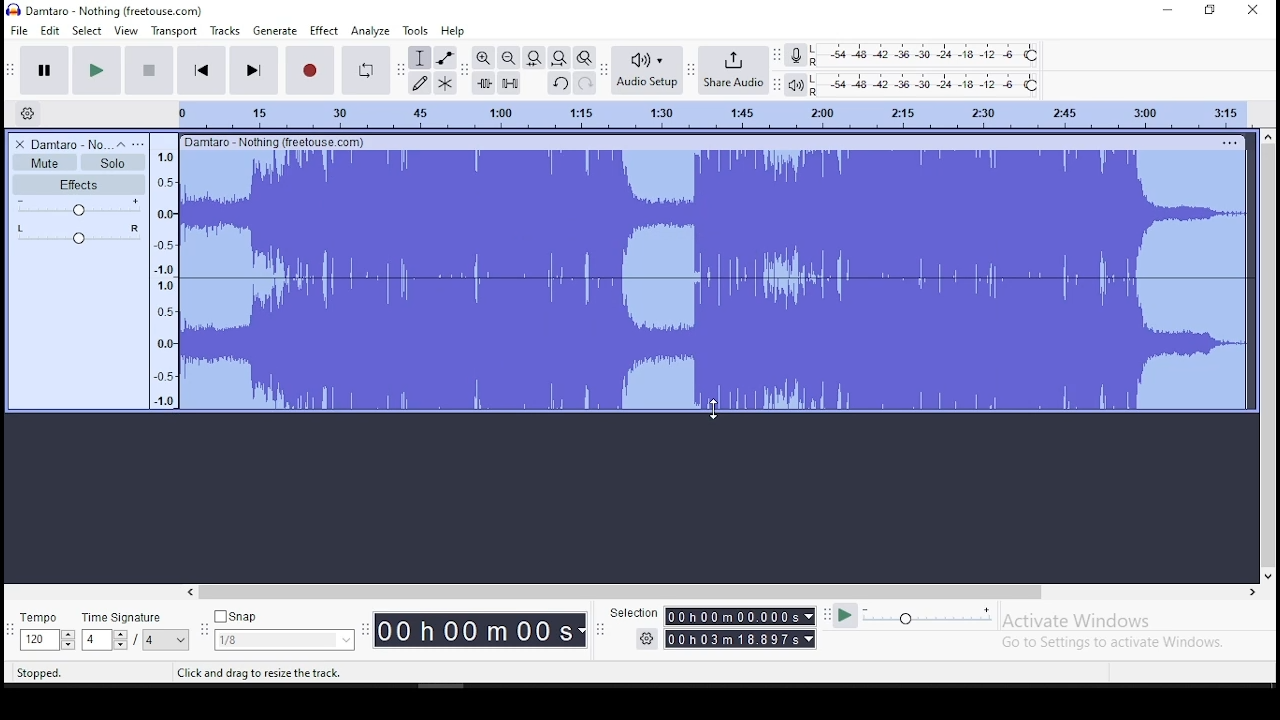 The image size is (1280, 720). What do you see at coordinates (1250, 10) in the screenshot?
I see `close ` at bounding box center [1250, 10].